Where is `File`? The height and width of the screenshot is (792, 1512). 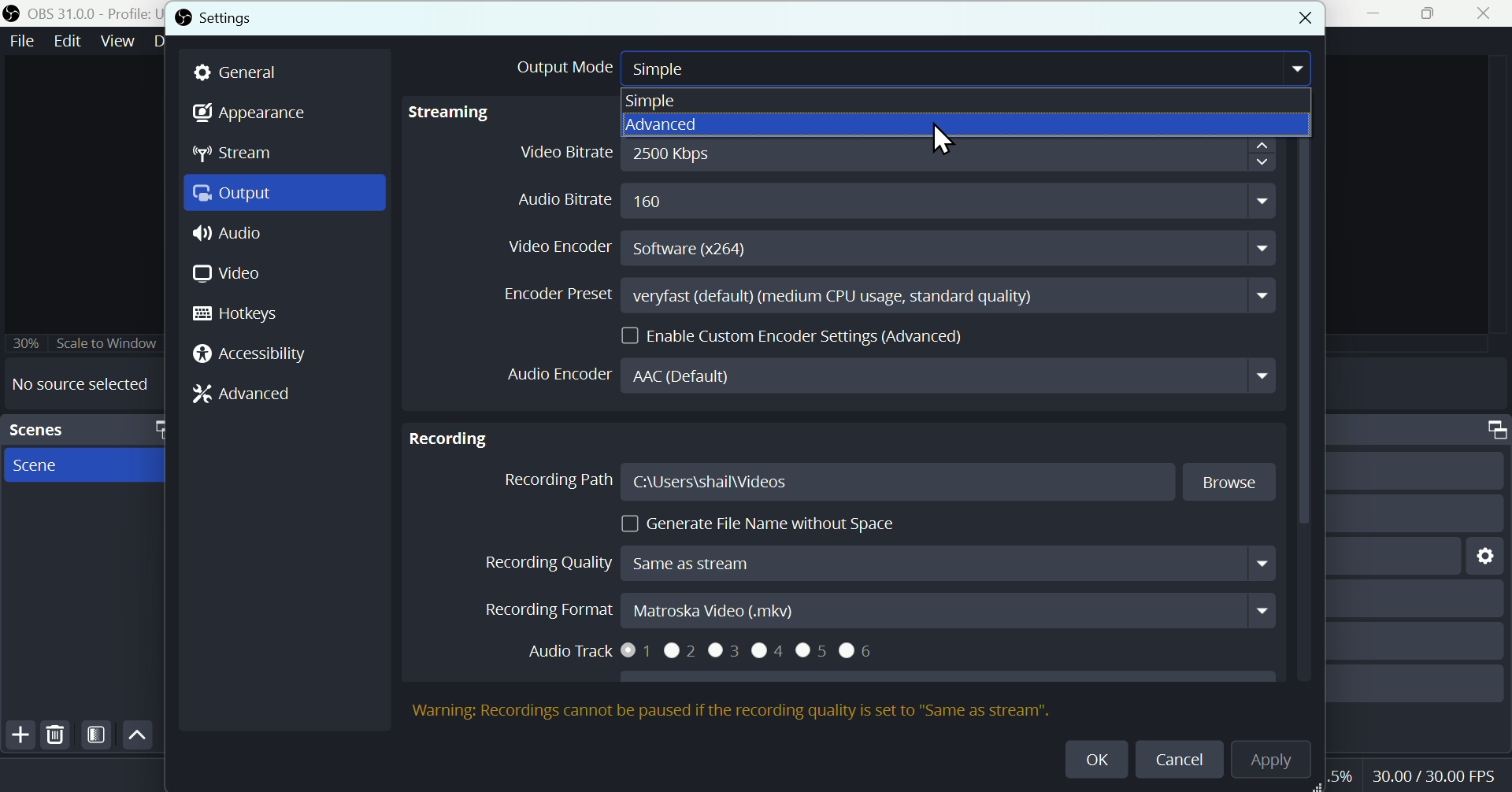 File is located at coordinates (23, 40).